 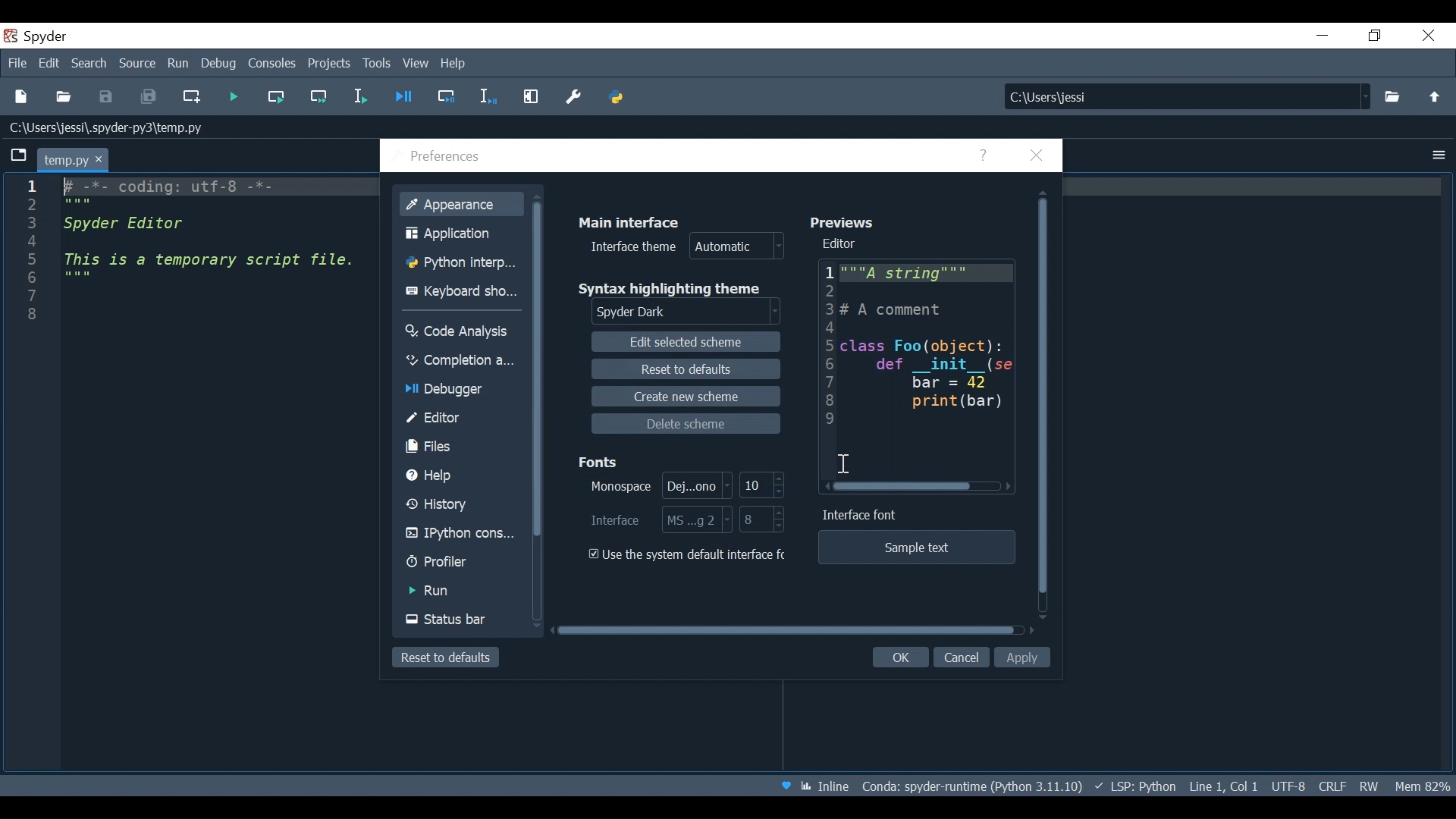 What do you see at coordinates (1432, 96) in the screenshot?
I see `Move up` at bounding box center [1432, 96].